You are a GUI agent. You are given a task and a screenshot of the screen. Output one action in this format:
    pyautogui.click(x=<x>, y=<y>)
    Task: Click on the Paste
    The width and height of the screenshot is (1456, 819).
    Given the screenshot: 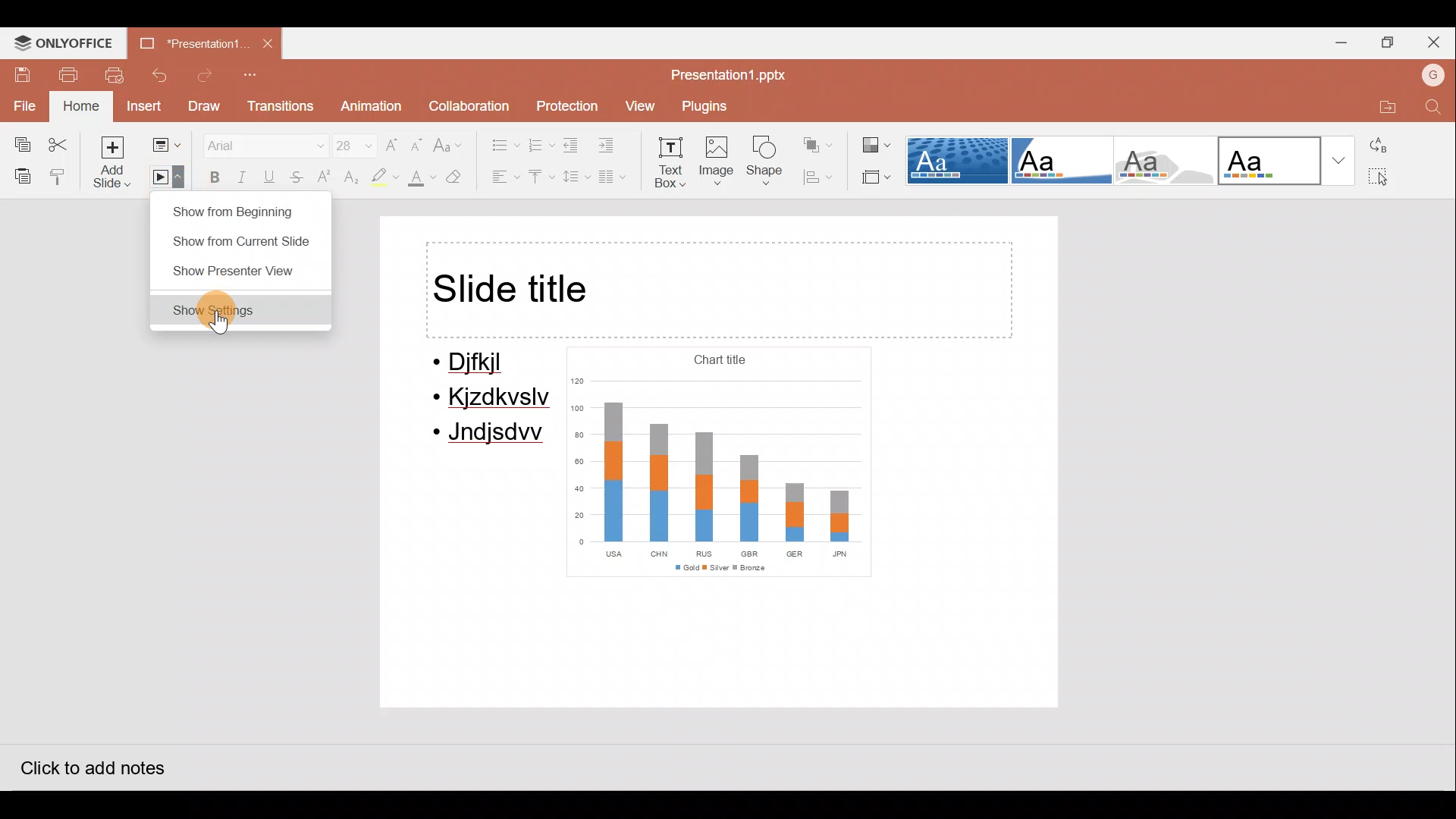 What is the action you would take?
    pyautogui.click(x=20, y=173)
    